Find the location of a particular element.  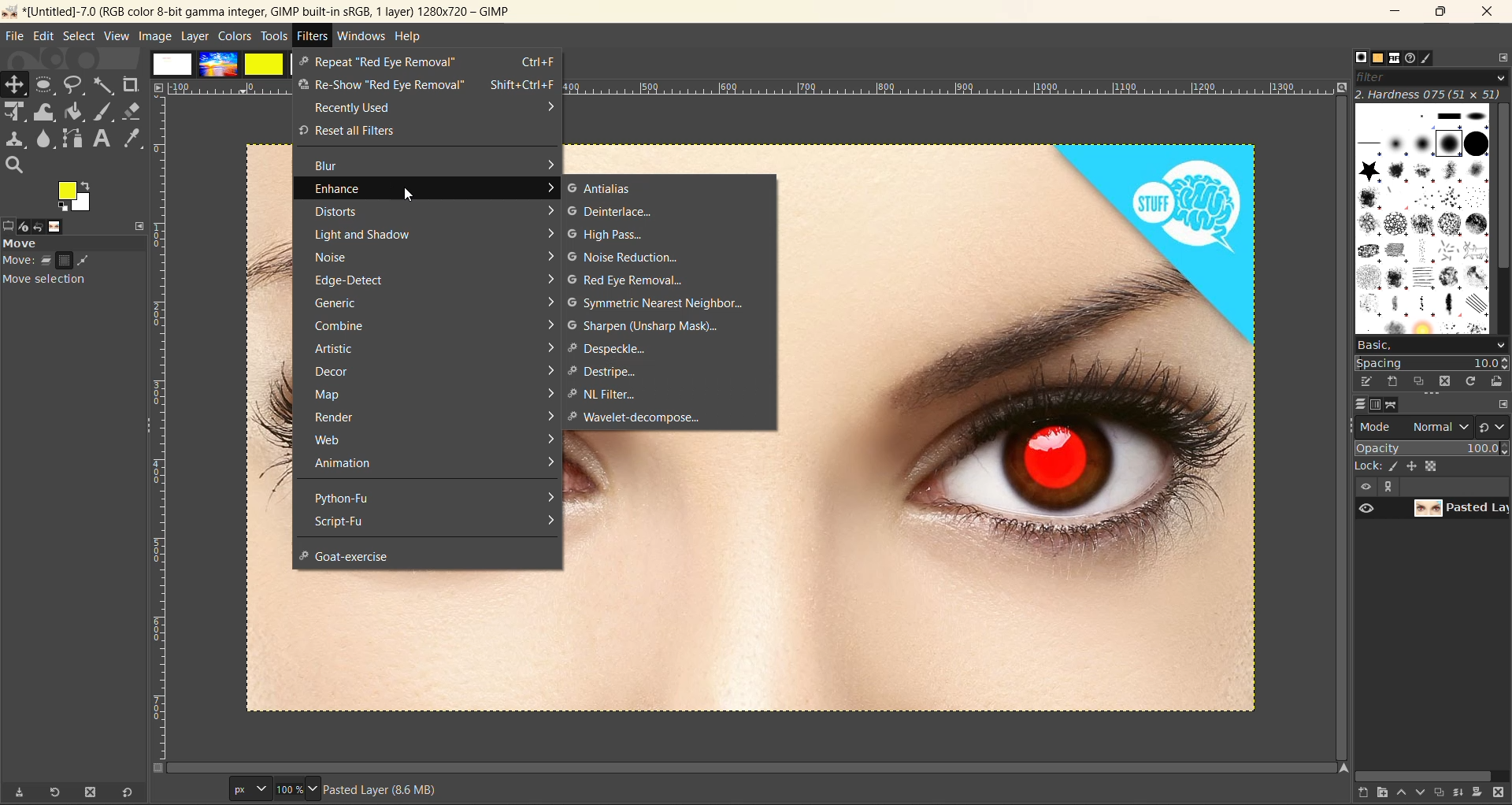

sharpen is located at coordinates (646, 325).